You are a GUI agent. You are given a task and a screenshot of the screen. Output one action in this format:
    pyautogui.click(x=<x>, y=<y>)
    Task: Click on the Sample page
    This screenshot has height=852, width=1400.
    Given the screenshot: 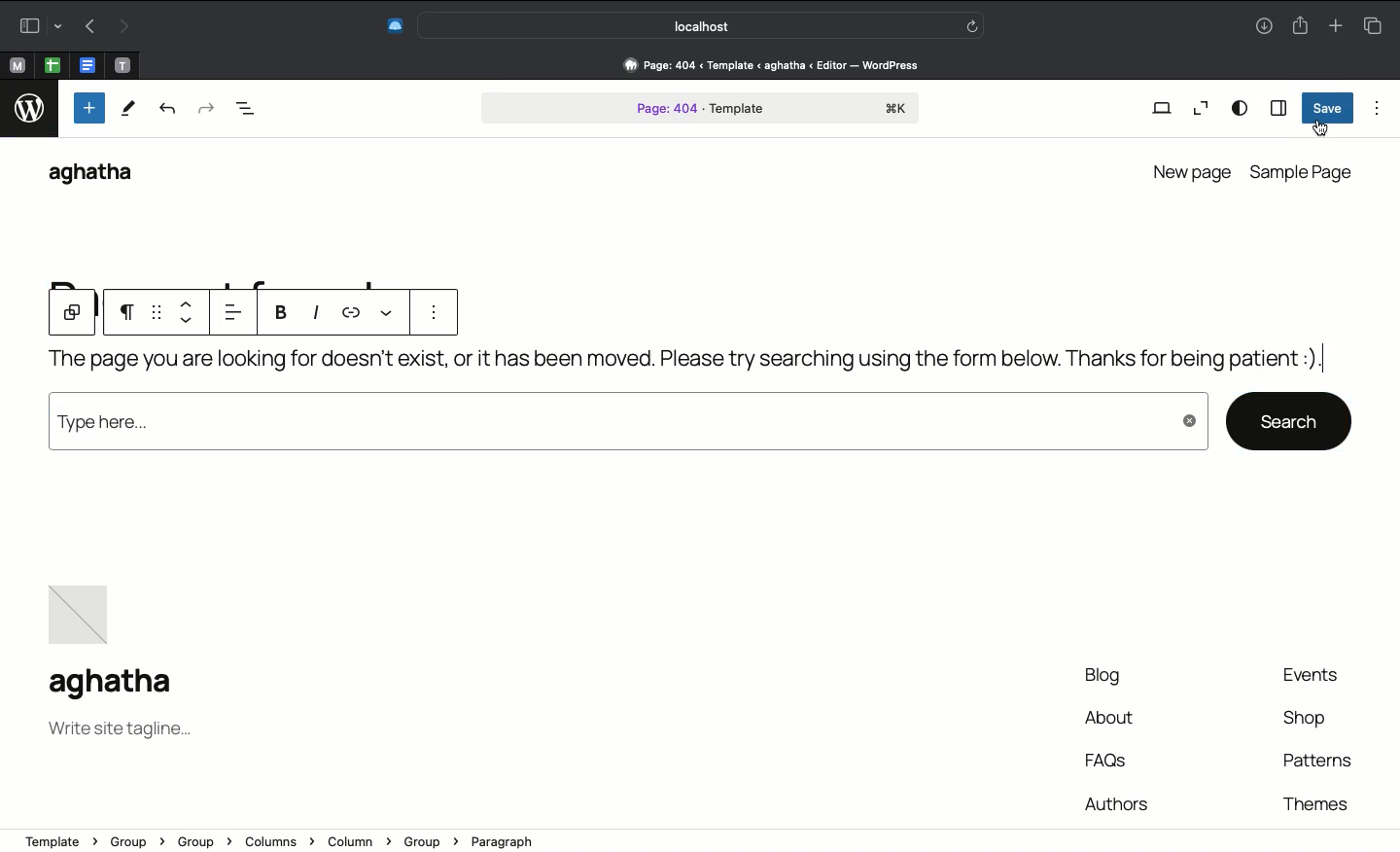 What is the action you would take?
    pyautogui.click(x=1304, y=172)
    